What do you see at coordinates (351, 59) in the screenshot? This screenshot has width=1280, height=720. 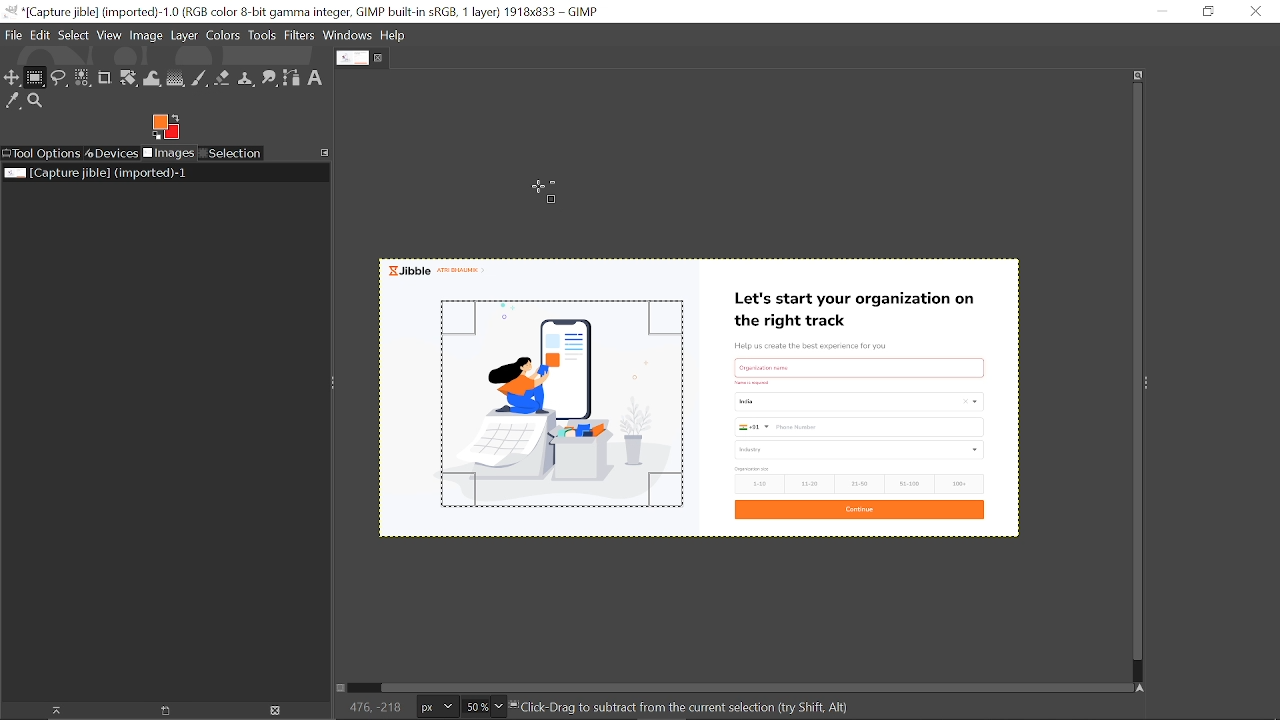 I see `Current tab` at bounding box center [351, 59].